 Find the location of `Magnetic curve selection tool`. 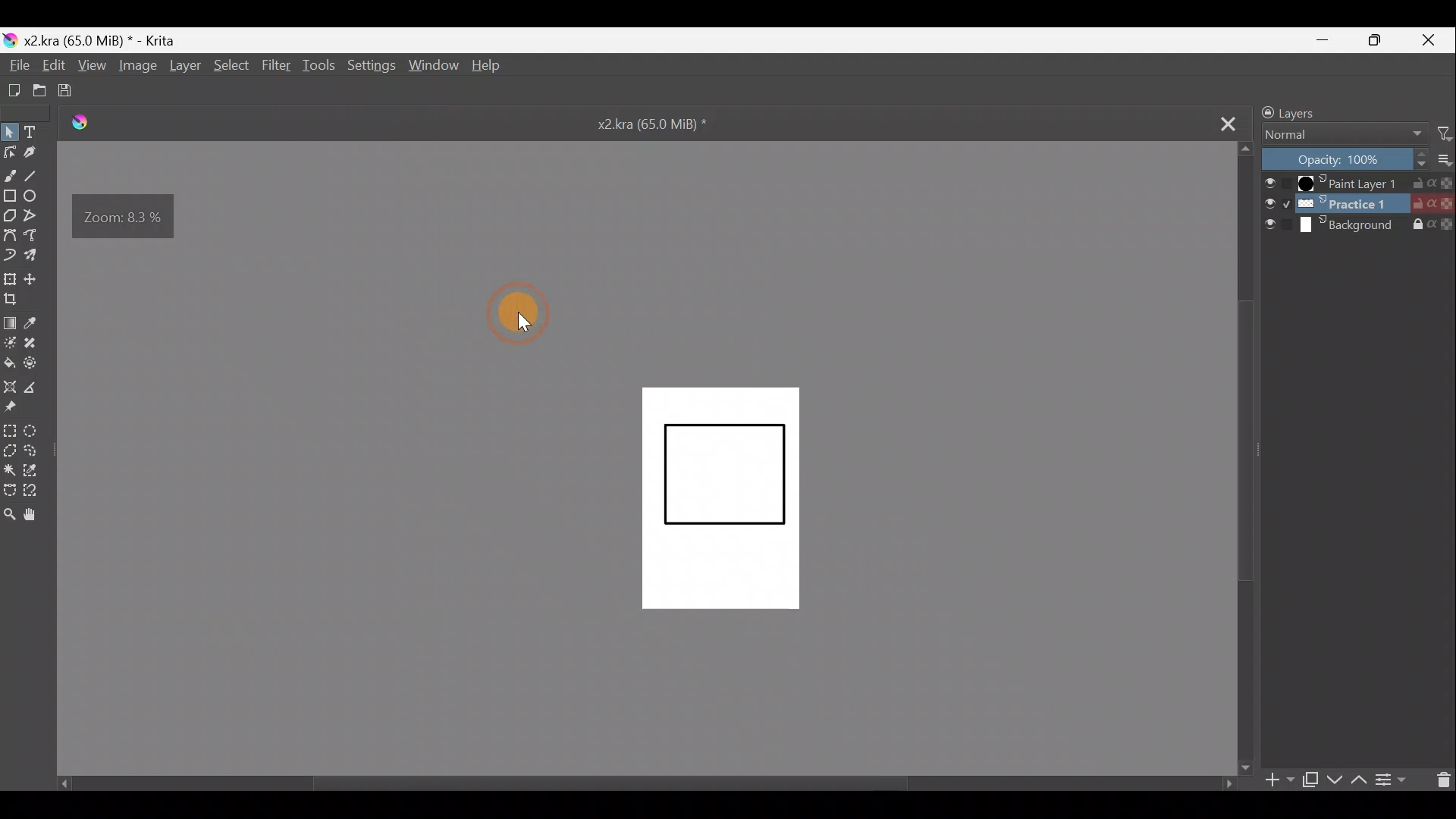

Magnetic curve selection tool is located at coordinates (38, 488).